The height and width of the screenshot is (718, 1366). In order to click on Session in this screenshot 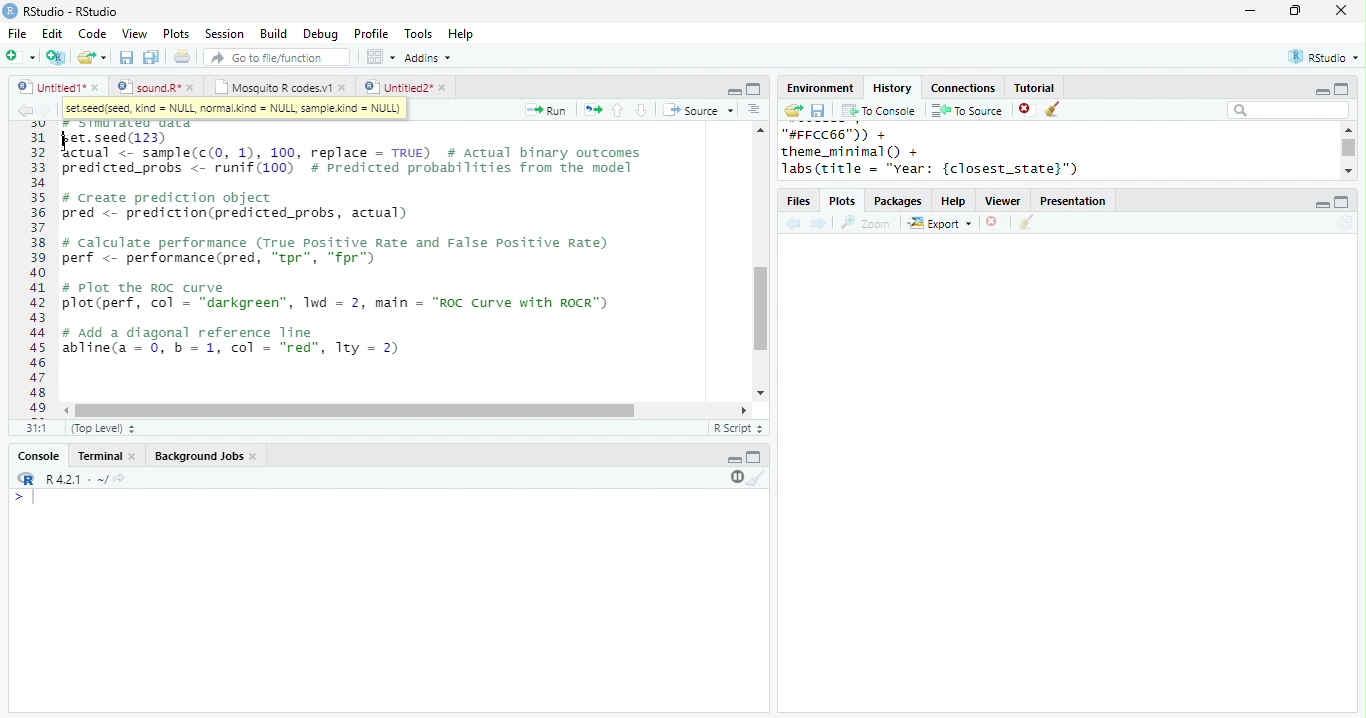, I will do `click(224, 34)`.